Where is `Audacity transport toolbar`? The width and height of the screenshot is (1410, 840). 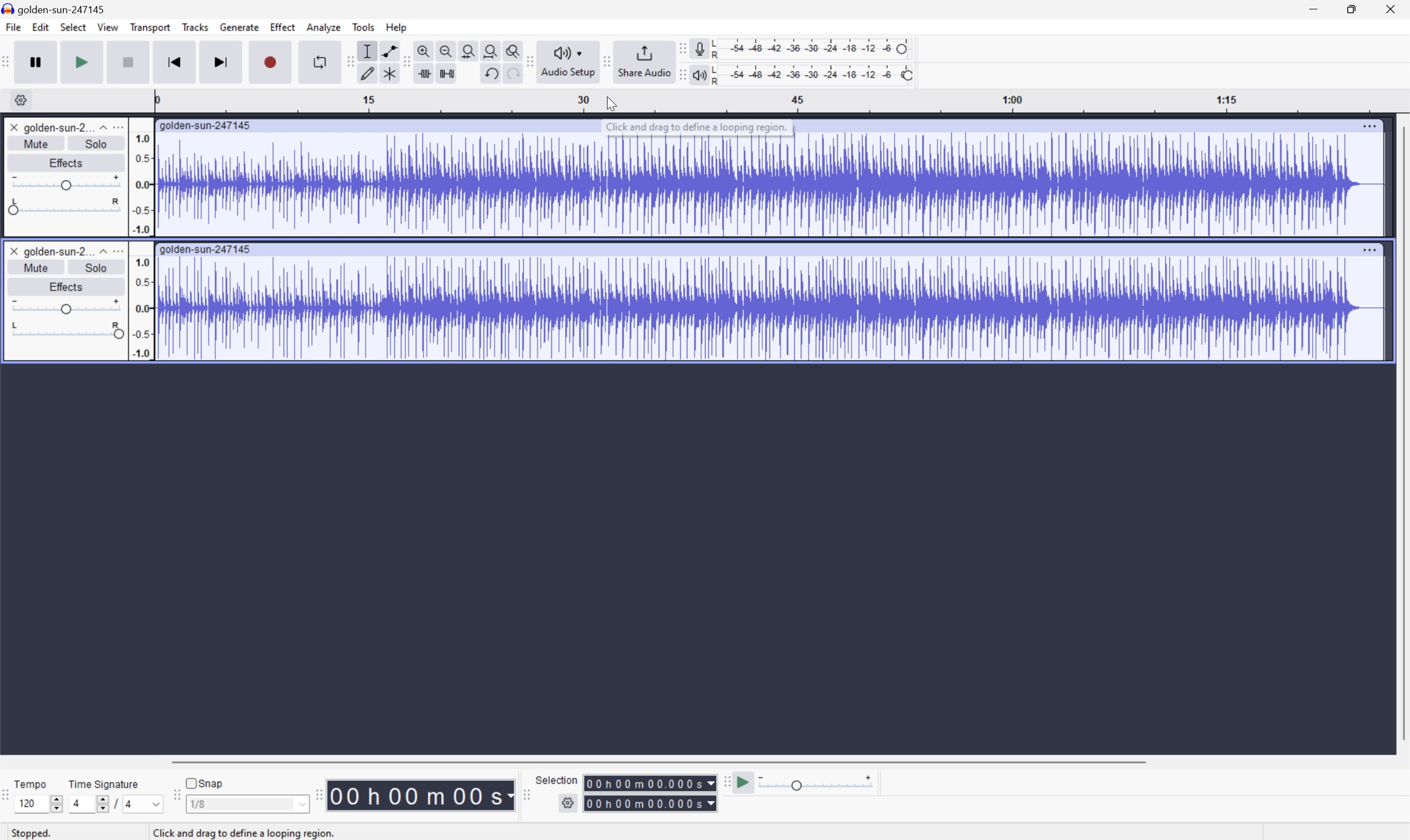
Audacity transport toolbar is located at coordinates (10, 62).